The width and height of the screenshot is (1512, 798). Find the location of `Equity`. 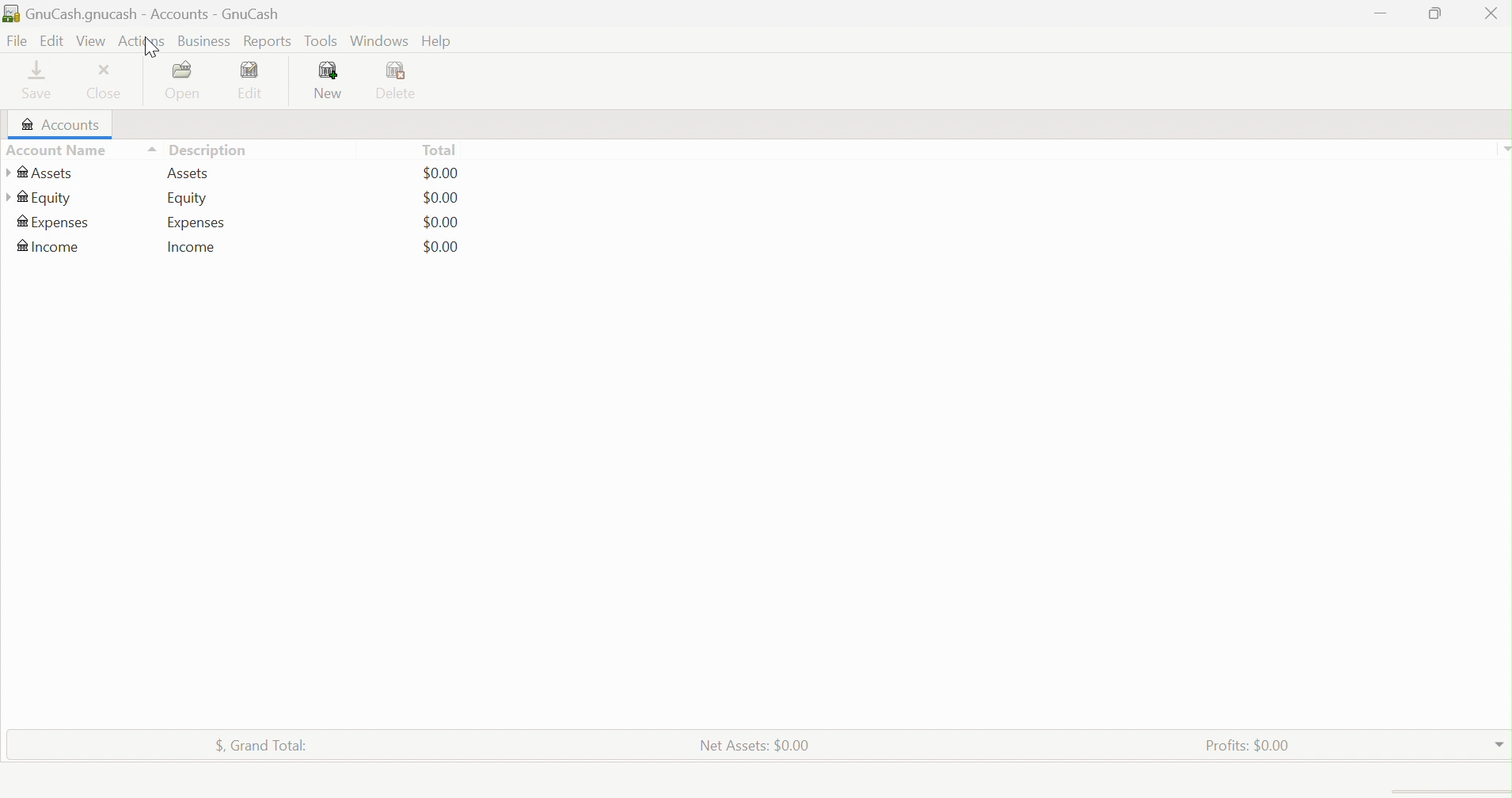

Equity is located at coordinates (187, 199).